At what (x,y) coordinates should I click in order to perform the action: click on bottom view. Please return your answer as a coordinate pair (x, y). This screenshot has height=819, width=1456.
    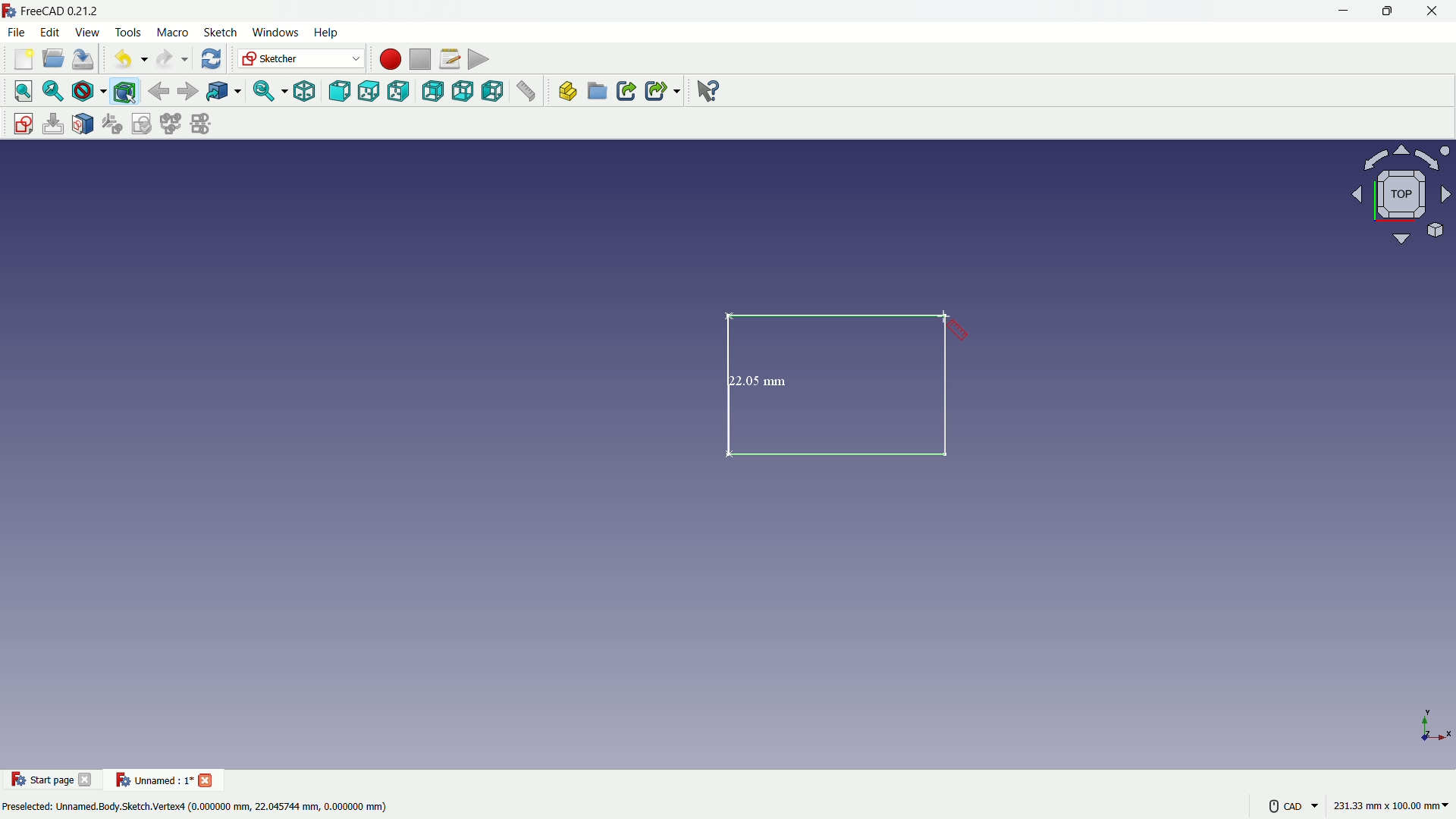
    Looking at the image, I should click on (463, 93).